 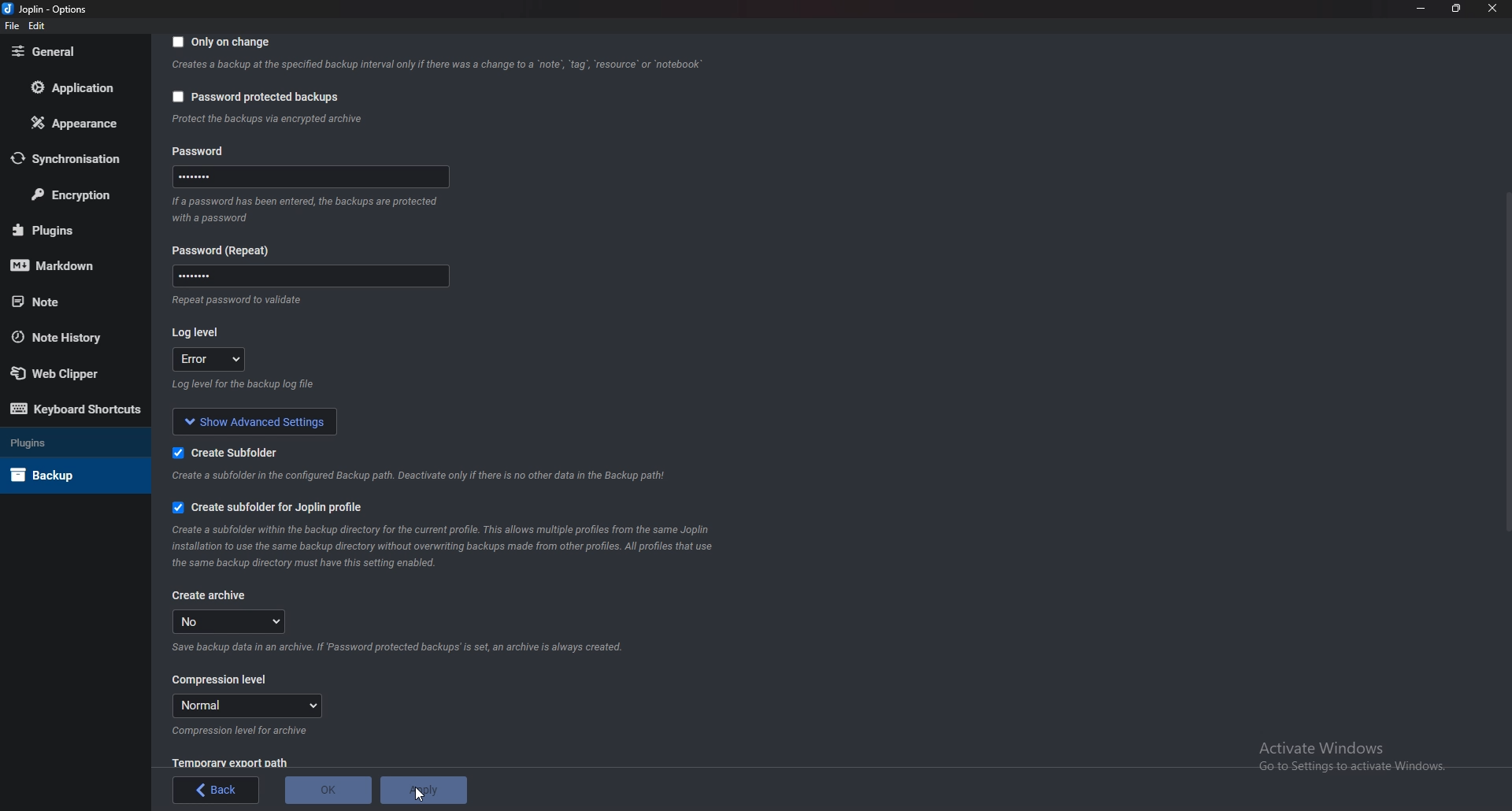 I want to click on o K, so click(x=328, y=791).